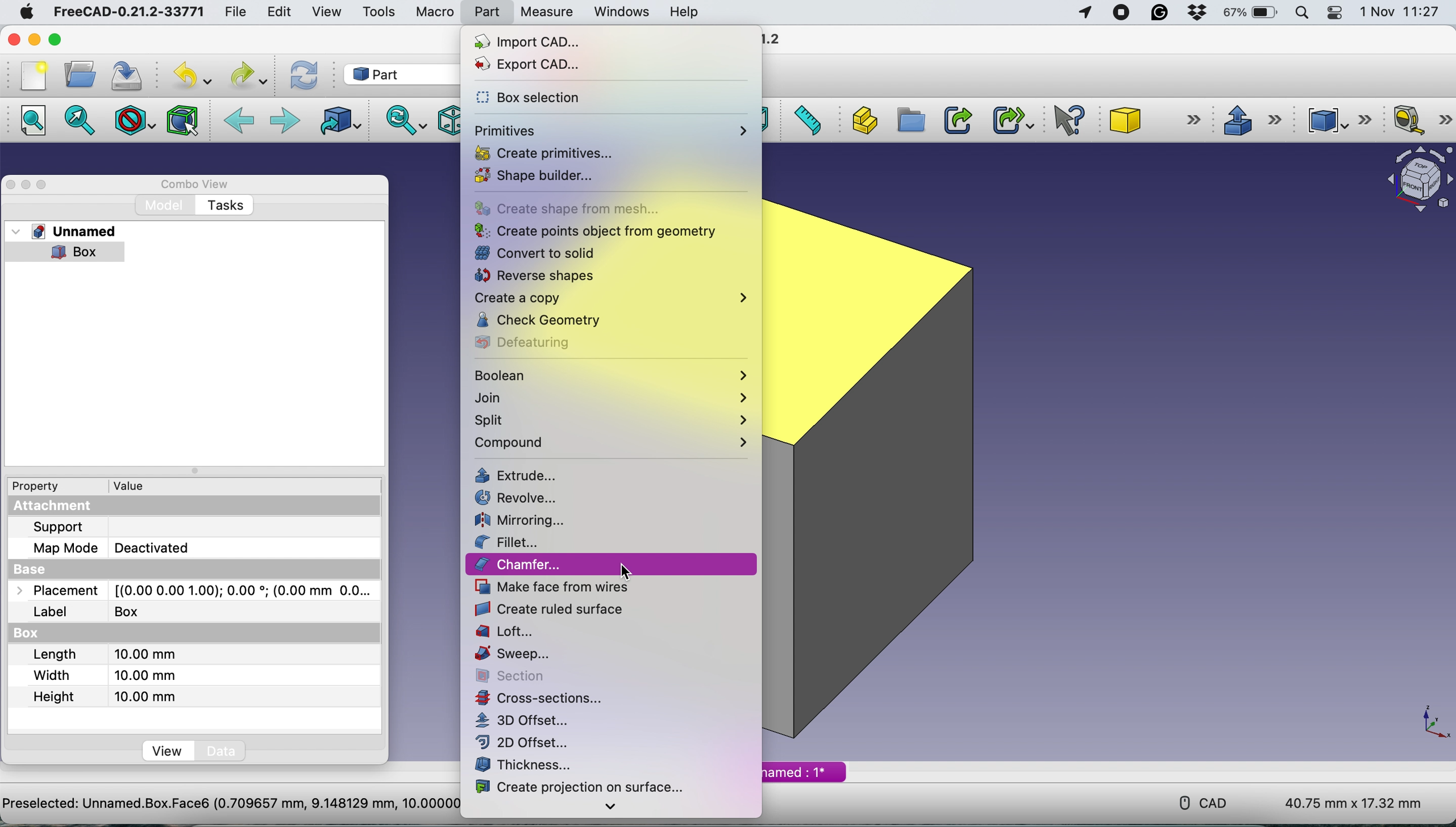 This screenshot has height=827, width=1456. Describe the element at coordinates (242, 76) in the screenshot. I see `redo` at that location.